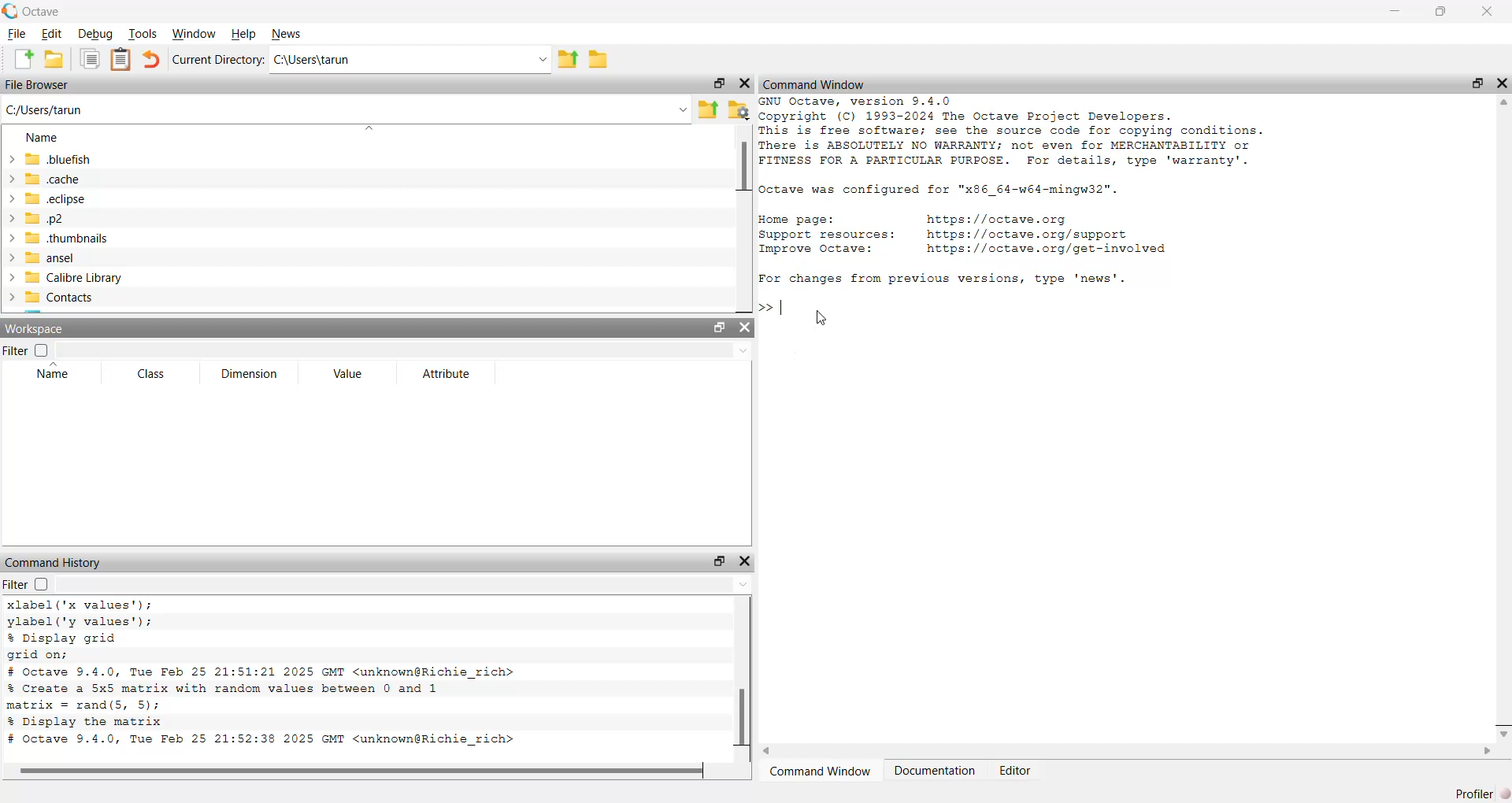 This screenshot has width=1512, height=803. Describe the element at coordinates (55, 109) in the screenshot. I see `C:/Users/tarun` at that location.